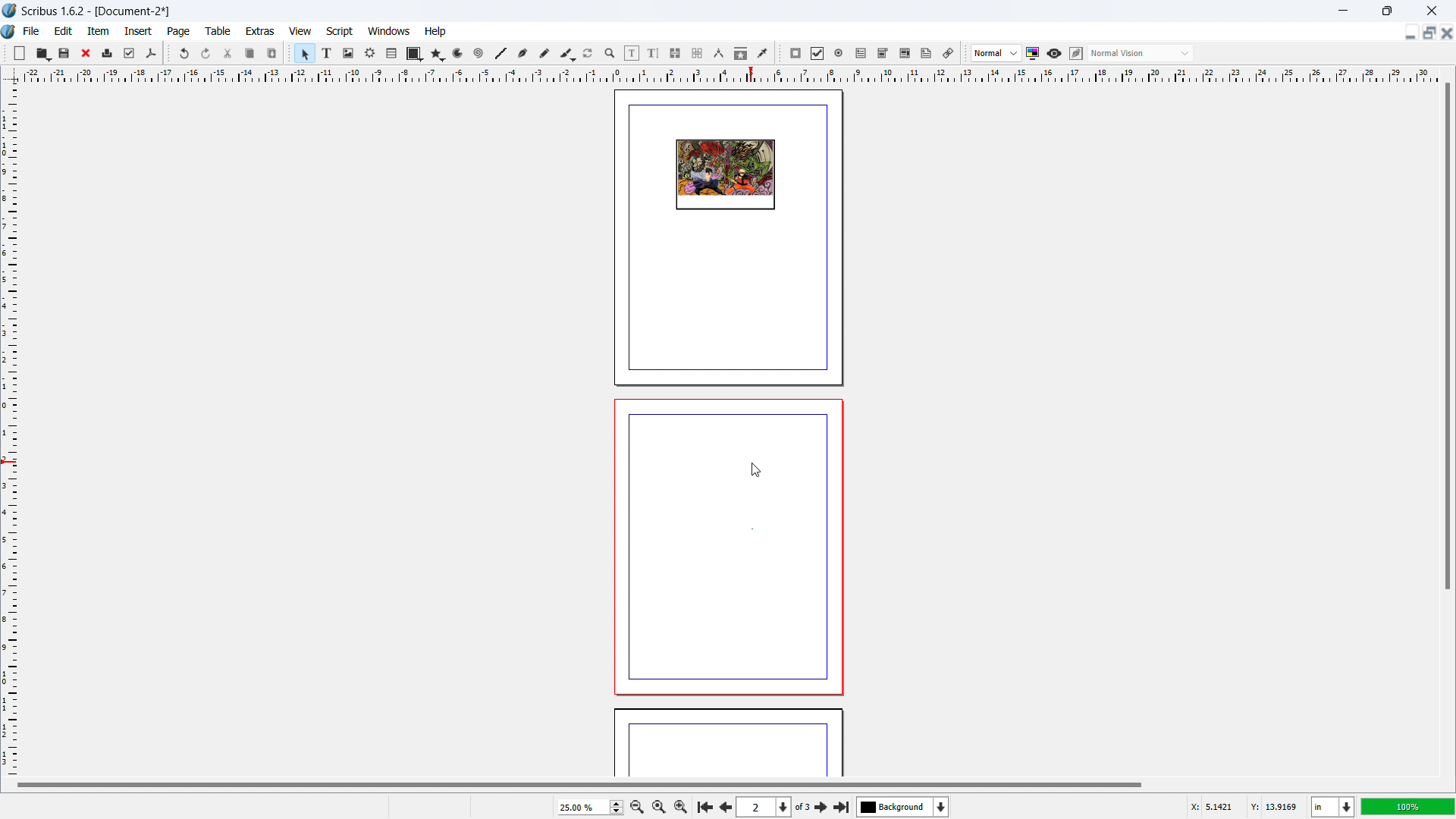  Describe the element at coordinates (186, 53) in the screenshot. I see `undo` at that location.